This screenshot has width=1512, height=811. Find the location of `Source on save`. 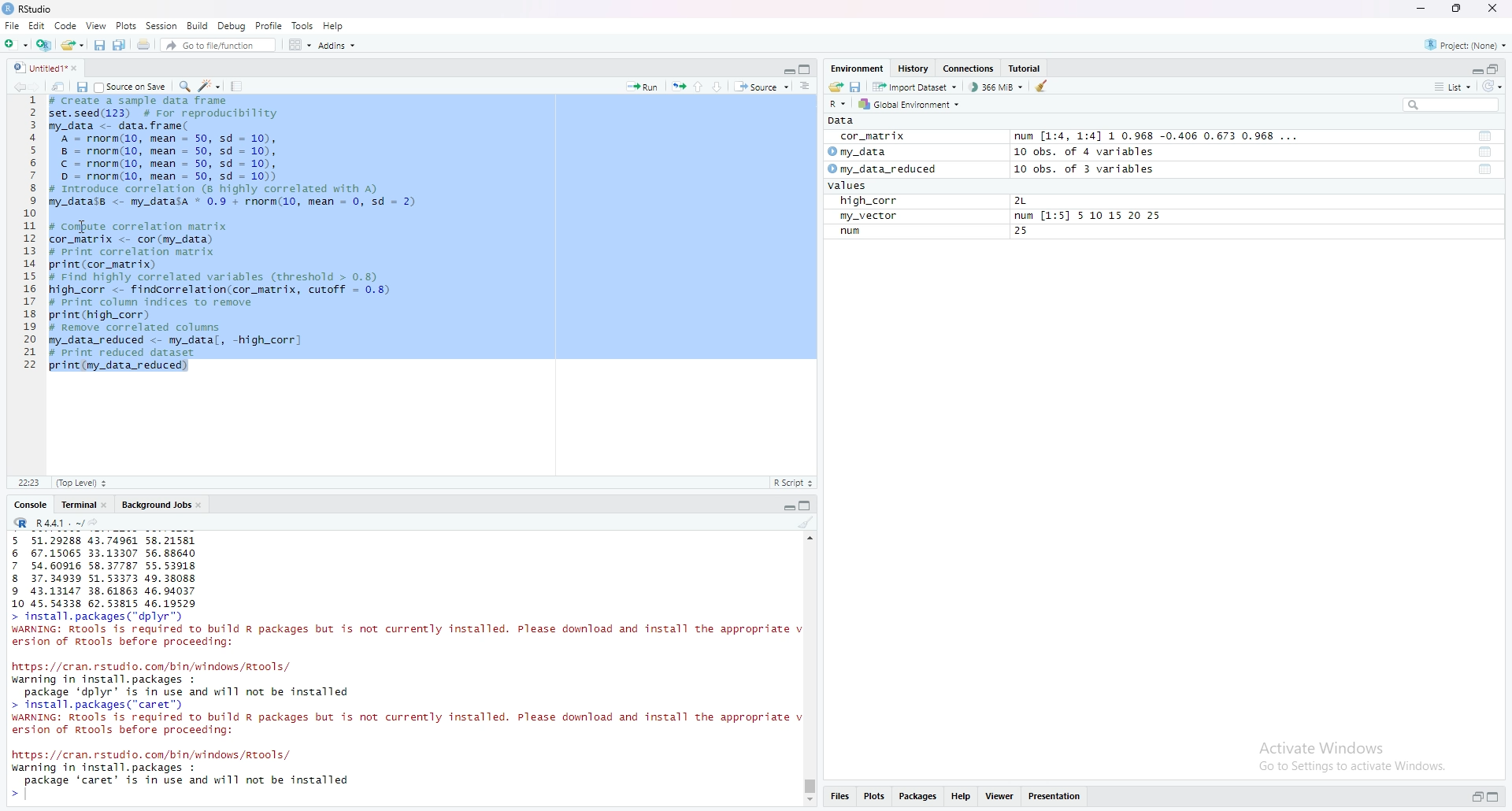

Source on save is located at coordinates (132, 87).